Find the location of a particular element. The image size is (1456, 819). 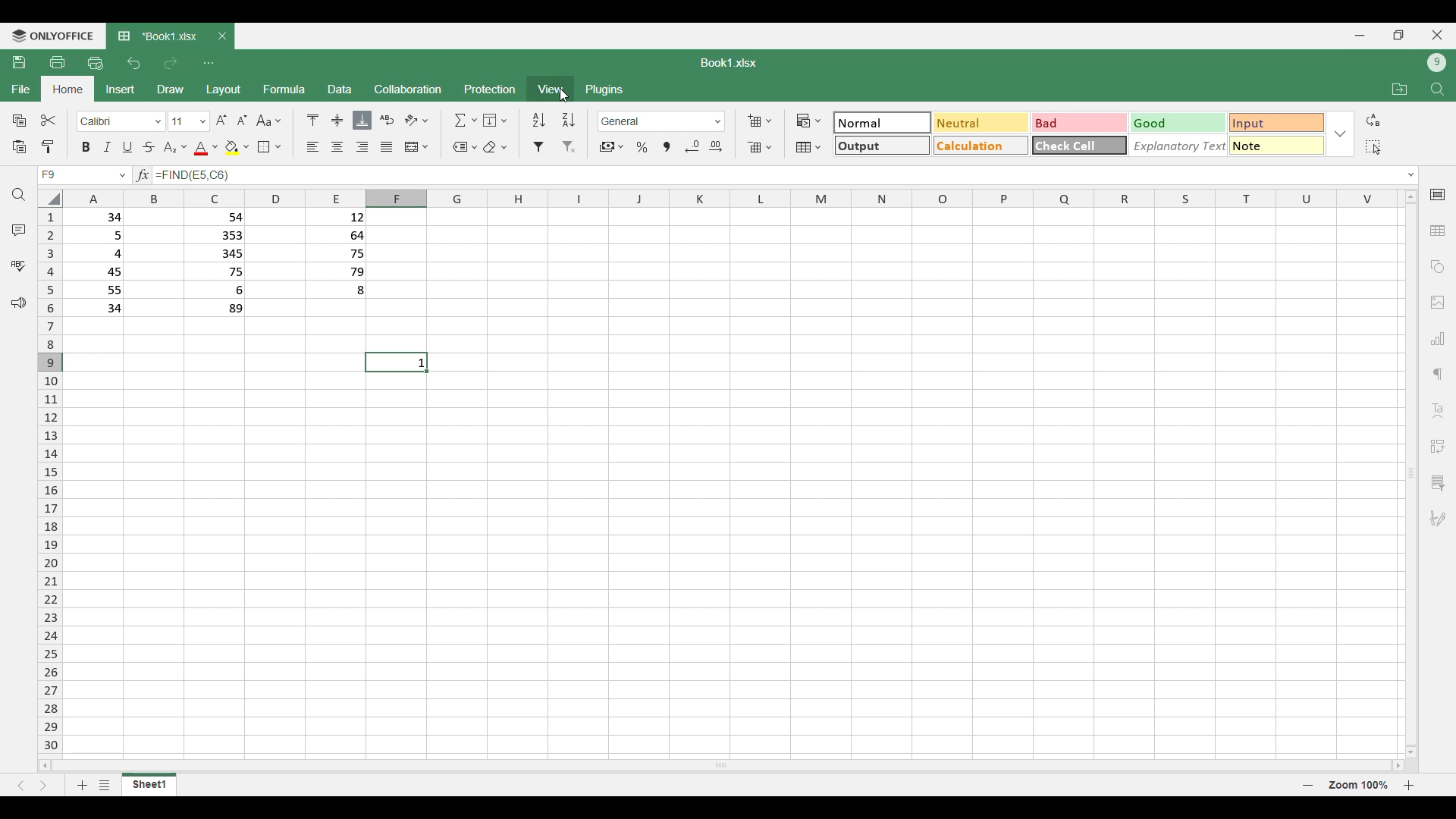

Current tab Book1.xlsx is located at coordinates (156, 36).